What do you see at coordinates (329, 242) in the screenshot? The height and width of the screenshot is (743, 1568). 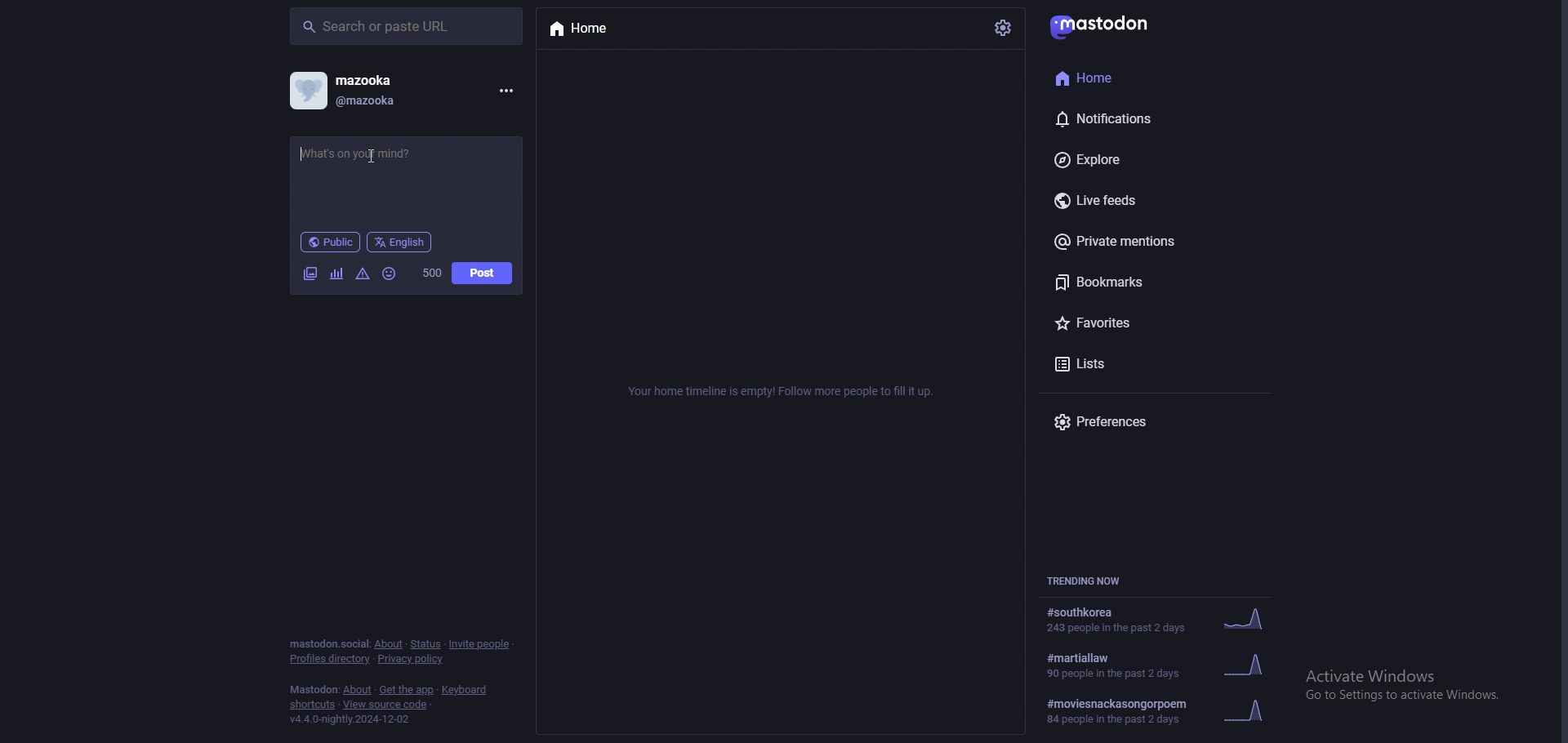 I see `public` at bounding box center [329, 242].